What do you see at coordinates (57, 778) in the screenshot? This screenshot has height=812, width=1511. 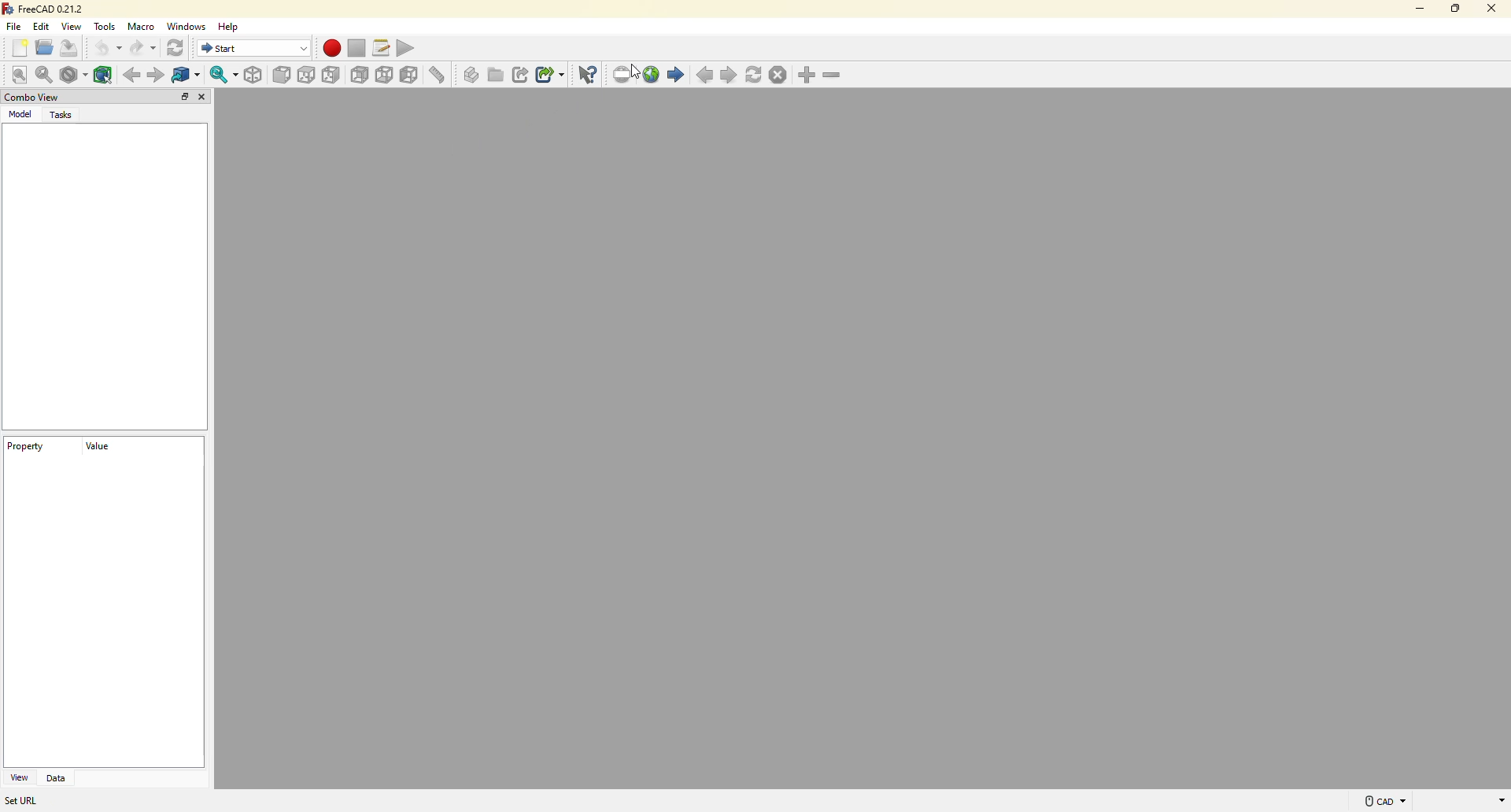 I see `data` at bounding box center [57, 778].